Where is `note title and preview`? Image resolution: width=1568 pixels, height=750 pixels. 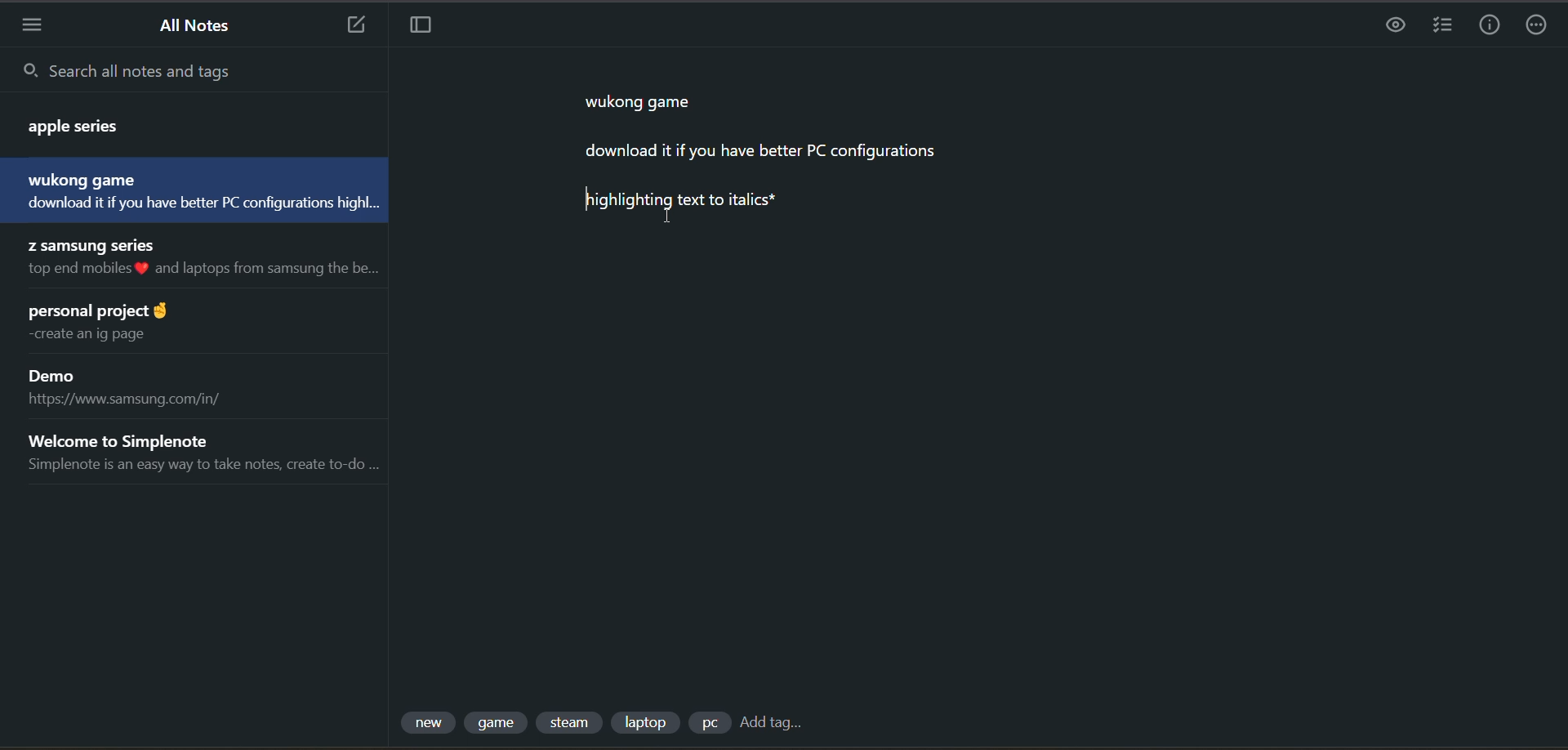
note title and preview is located at coordinates (190, 190).